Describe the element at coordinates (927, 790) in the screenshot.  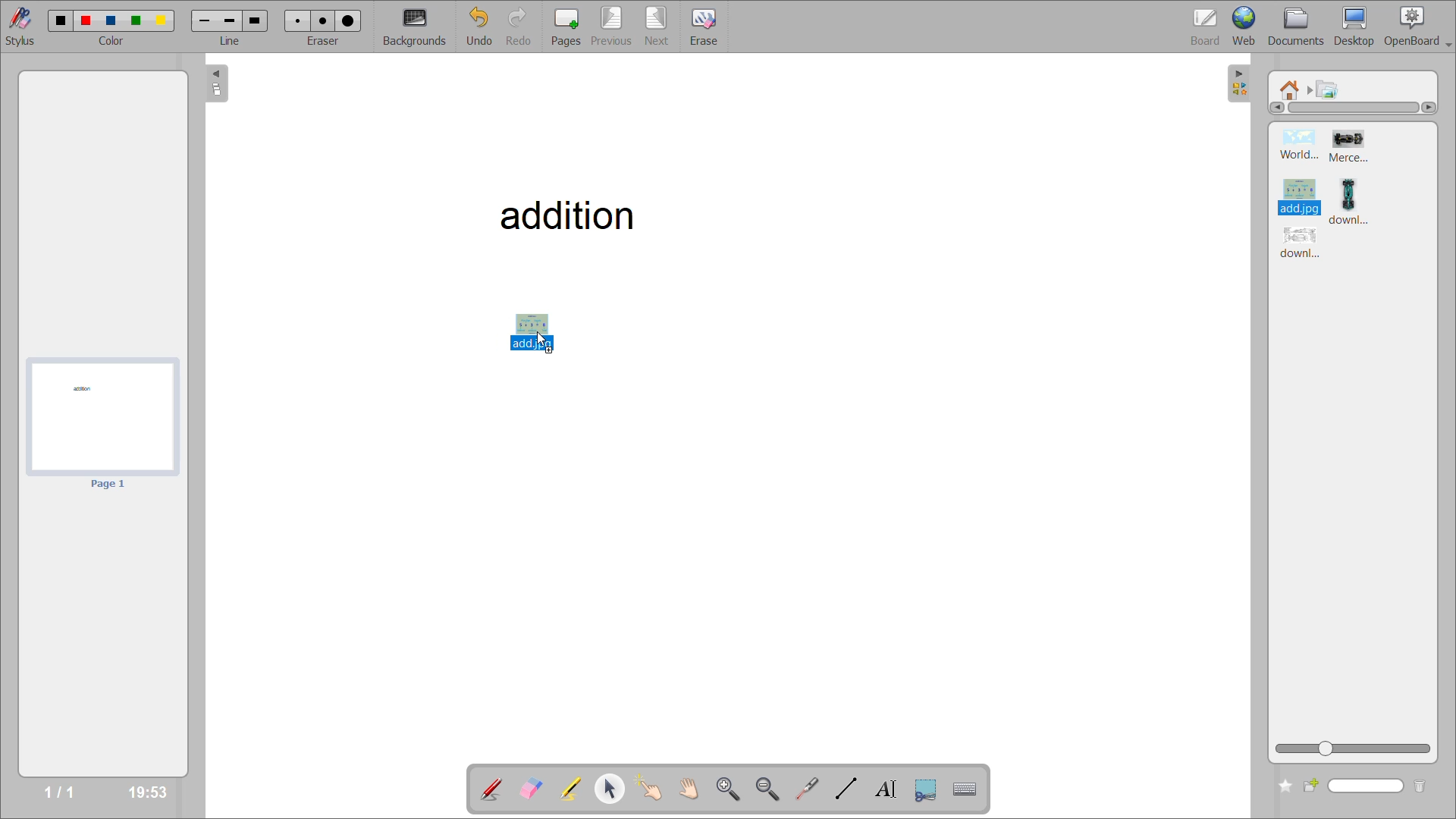
I see `capture part of the screen` at that location.